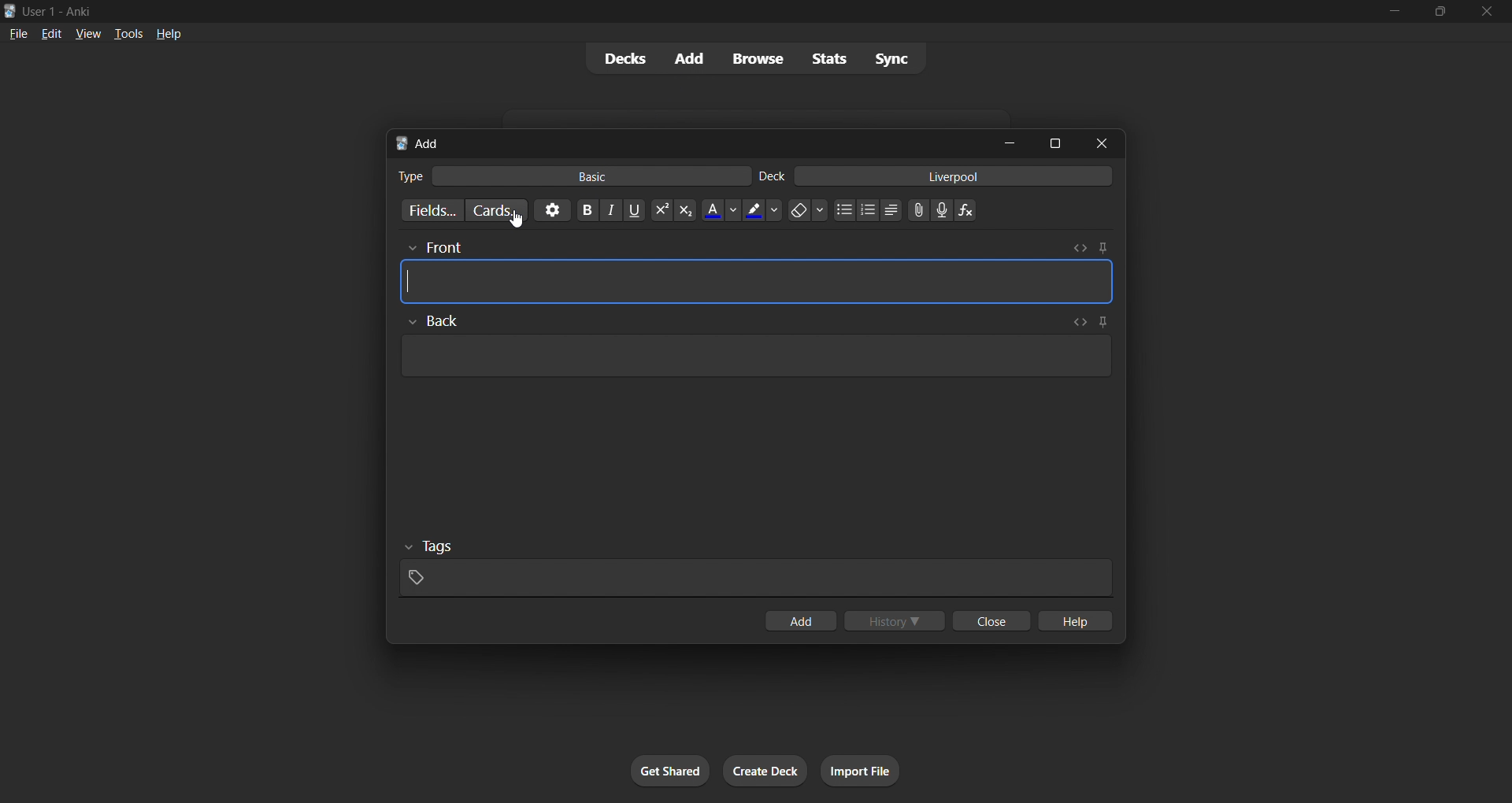 This screenshot has height=803, width=1512. Describe the element at coordinates (756, 566) in the screenshot. I see `tags input box` at that location.